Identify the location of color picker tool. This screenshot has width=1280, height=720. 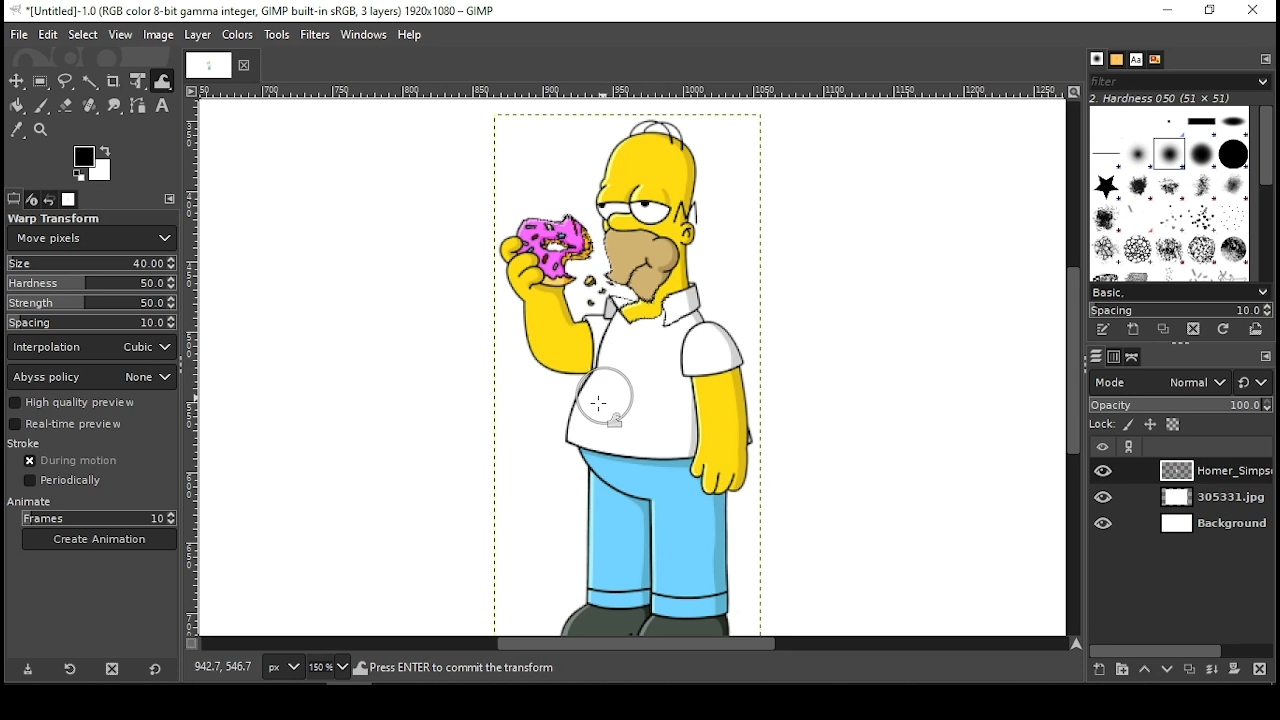
(16, 132).